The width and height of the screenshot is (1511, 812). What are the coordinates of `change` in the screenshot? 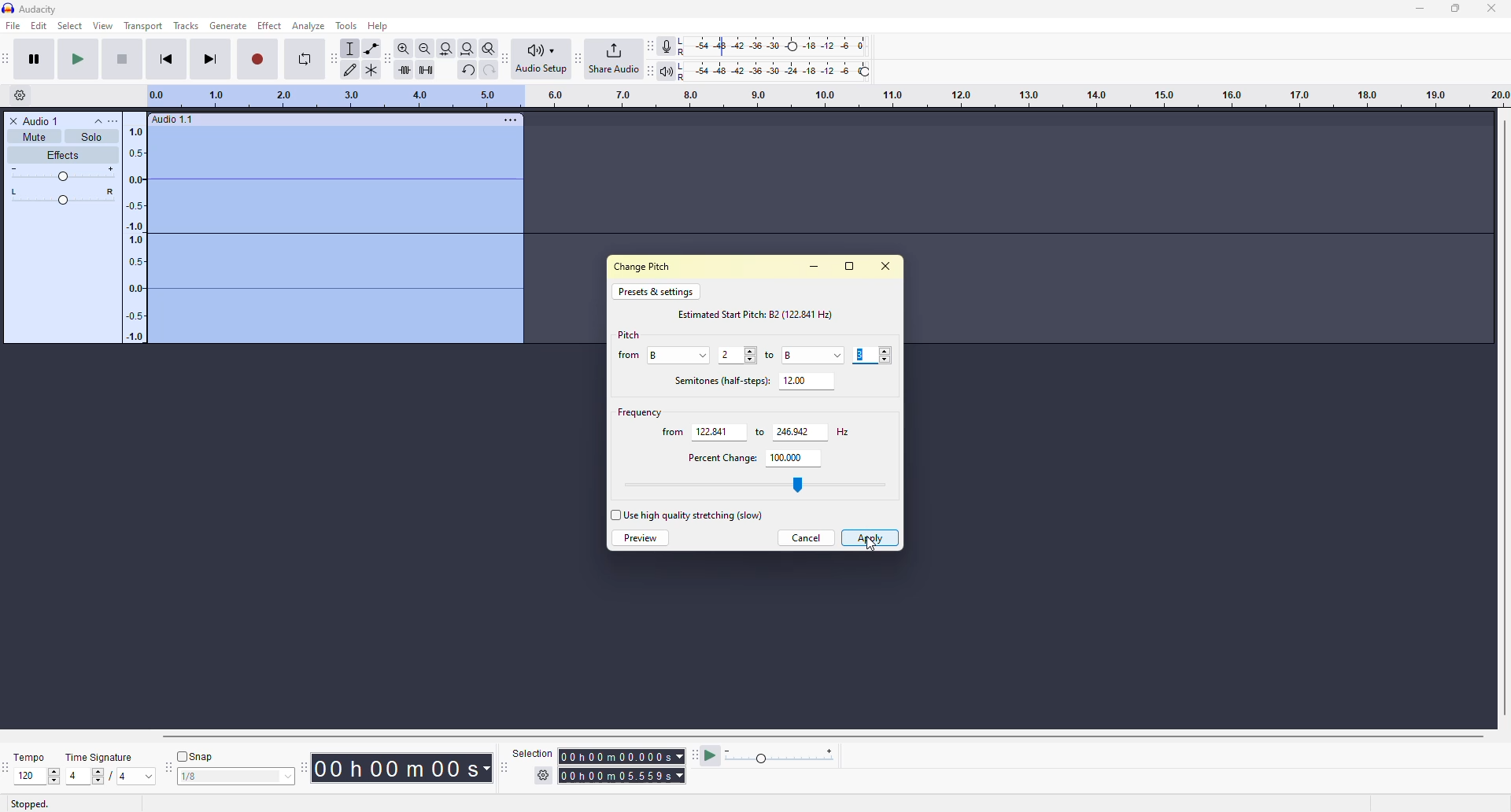 It's located at (808, 487).